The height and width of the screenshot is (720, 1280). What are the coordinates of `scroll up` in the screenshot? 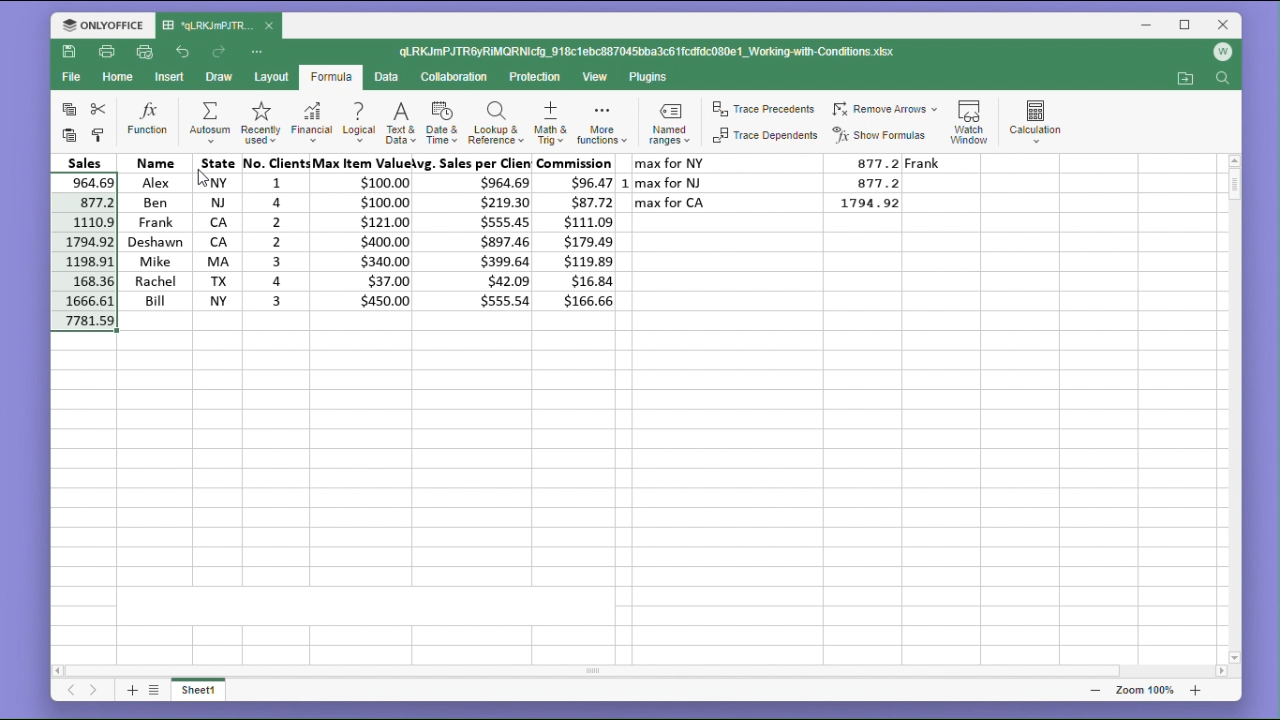 It's located at (1234, 160).